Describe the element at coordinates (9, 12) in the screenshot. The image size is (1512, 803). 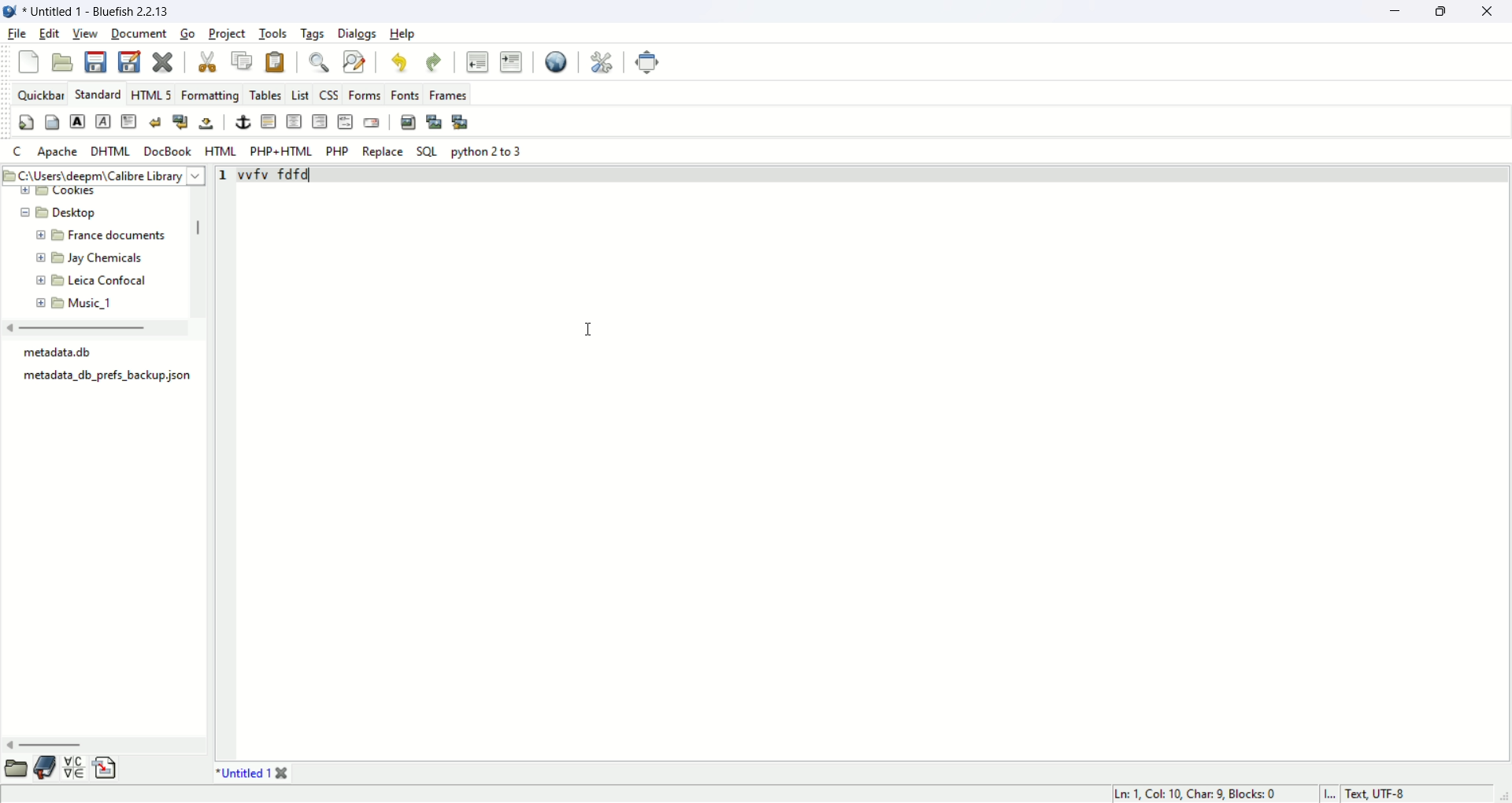
I see `logo` at that location.